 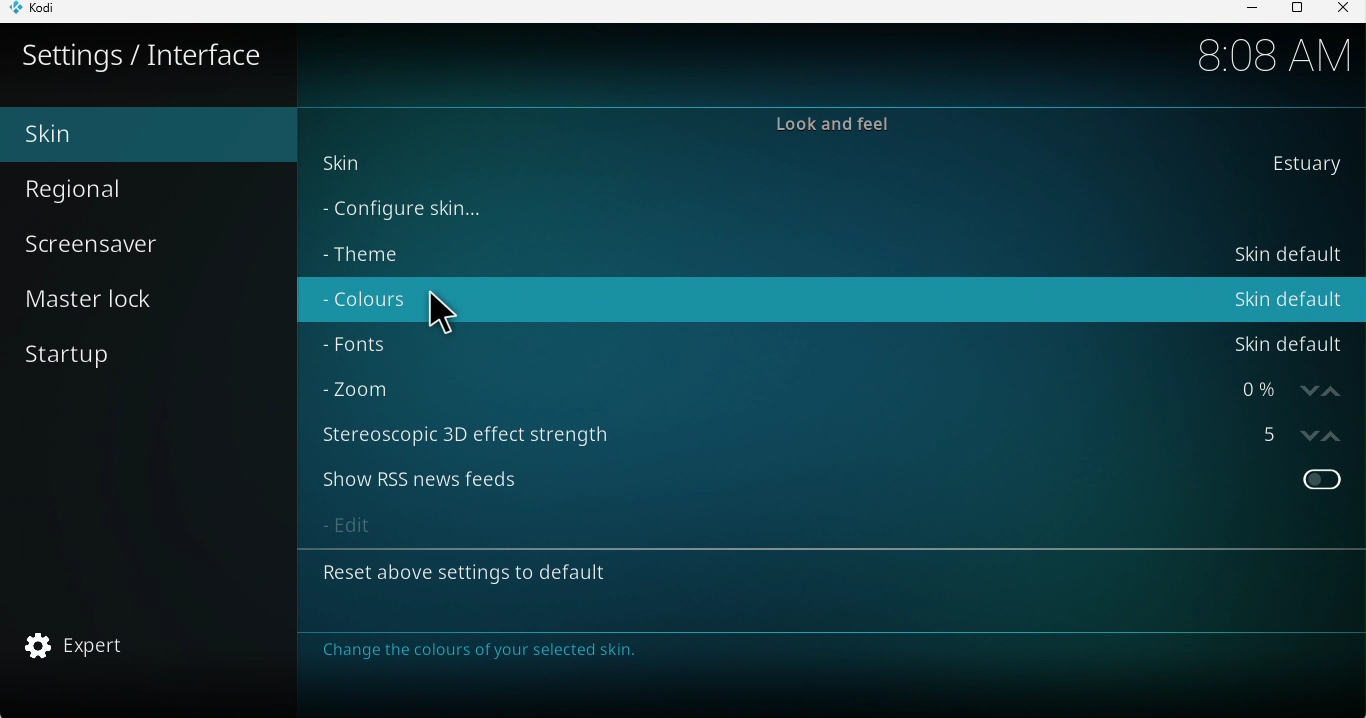 I want to click on Note, so click(x=503, y=651).